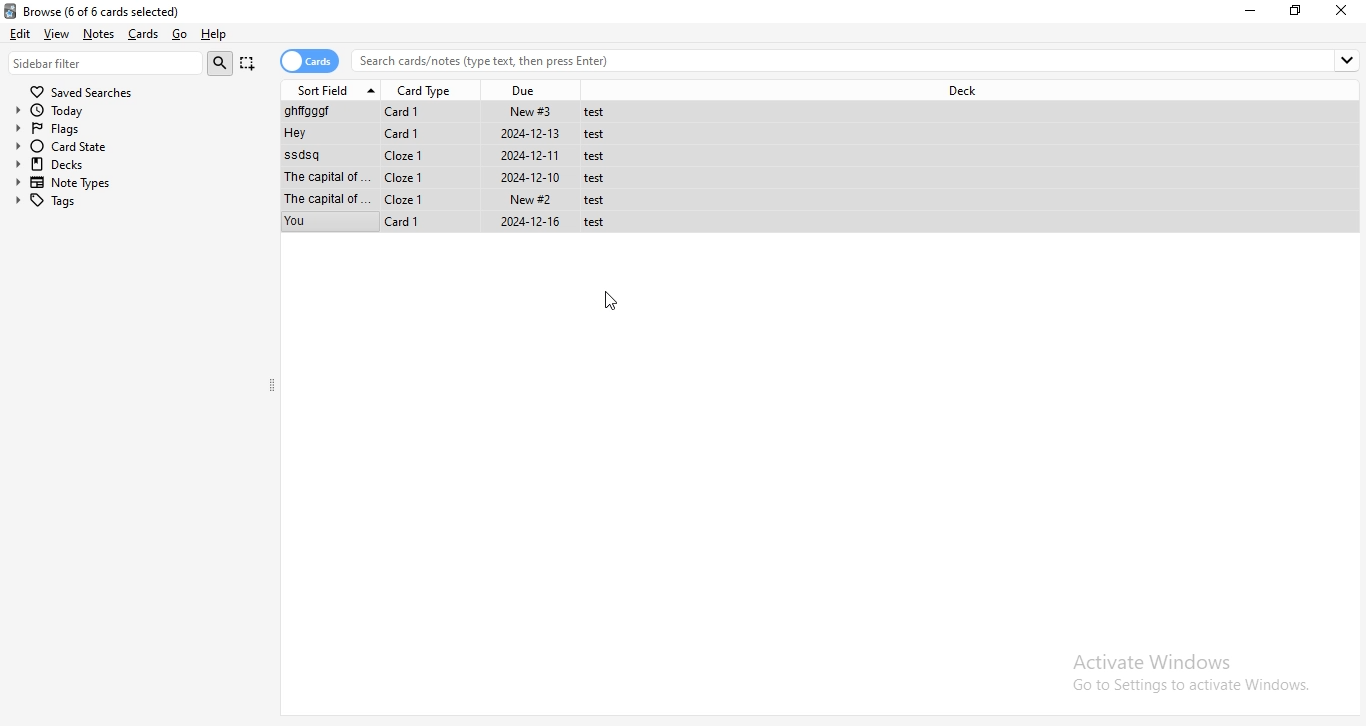 The image size is (1366, 726). What do you see at coordinates (453, 112) in the screenshot?
I see `File` at bounding box center [453, 112].